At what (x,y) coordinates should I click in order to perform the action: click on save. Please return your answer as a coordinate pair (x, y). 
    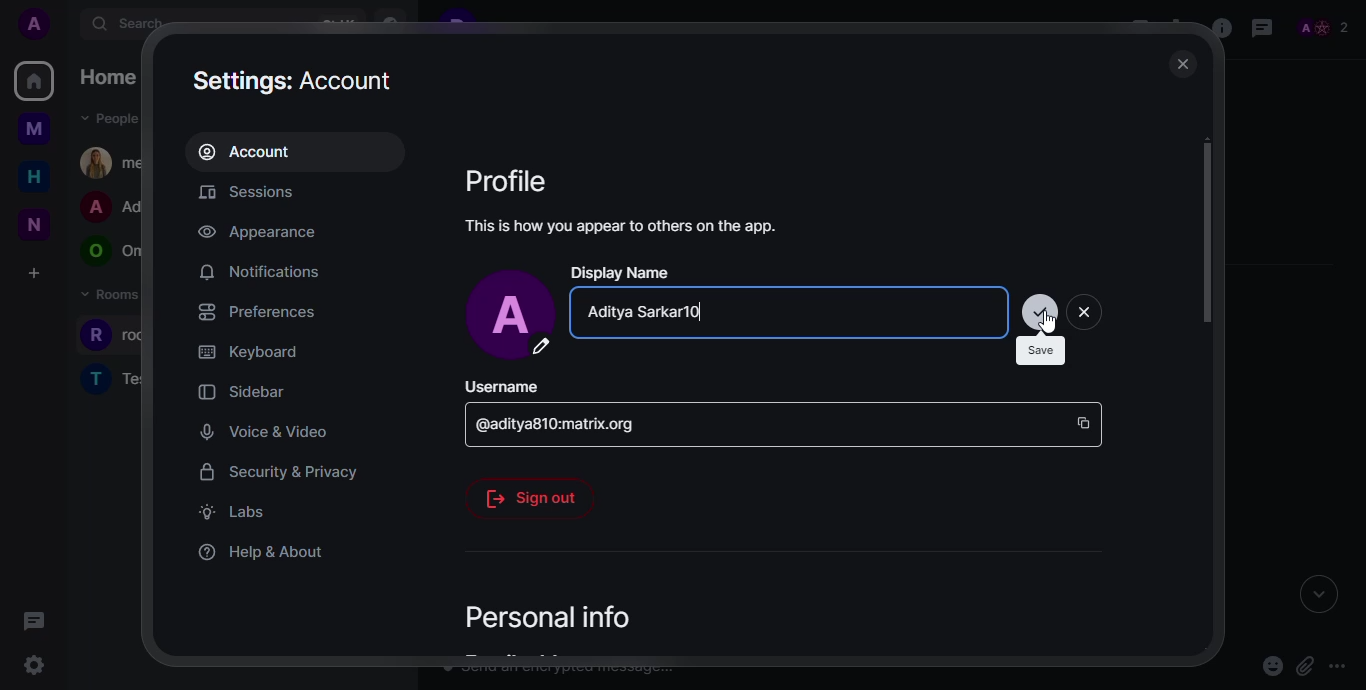
    Looking at the image, I should click on (1038, 311).